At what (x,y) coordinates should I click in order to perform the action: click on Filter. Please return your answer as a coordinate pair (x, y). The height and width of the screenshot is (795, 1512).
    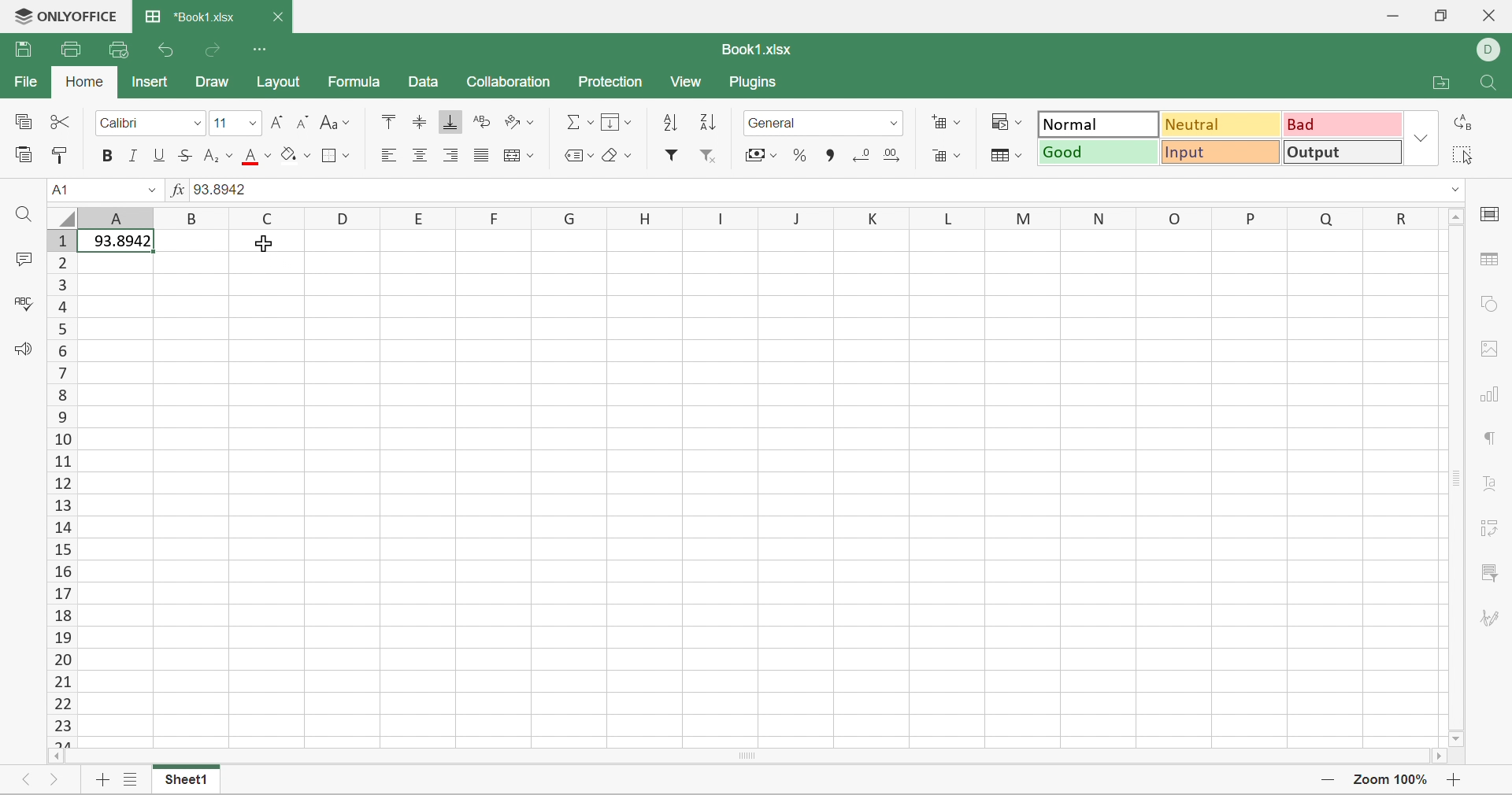
    Looking at the image, I should click on (676, 156).